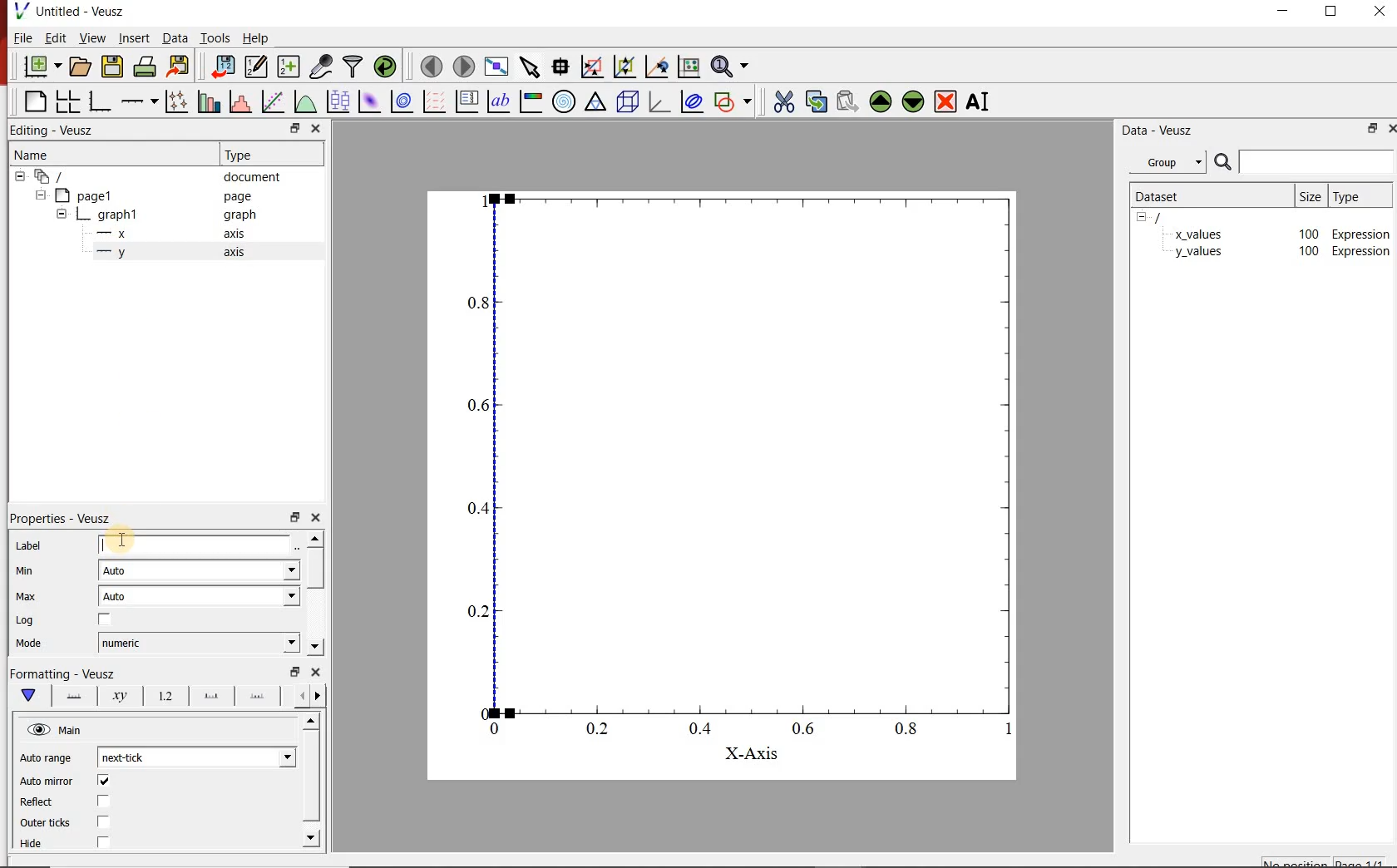  I want to click on Expression, so click(1361, 252).